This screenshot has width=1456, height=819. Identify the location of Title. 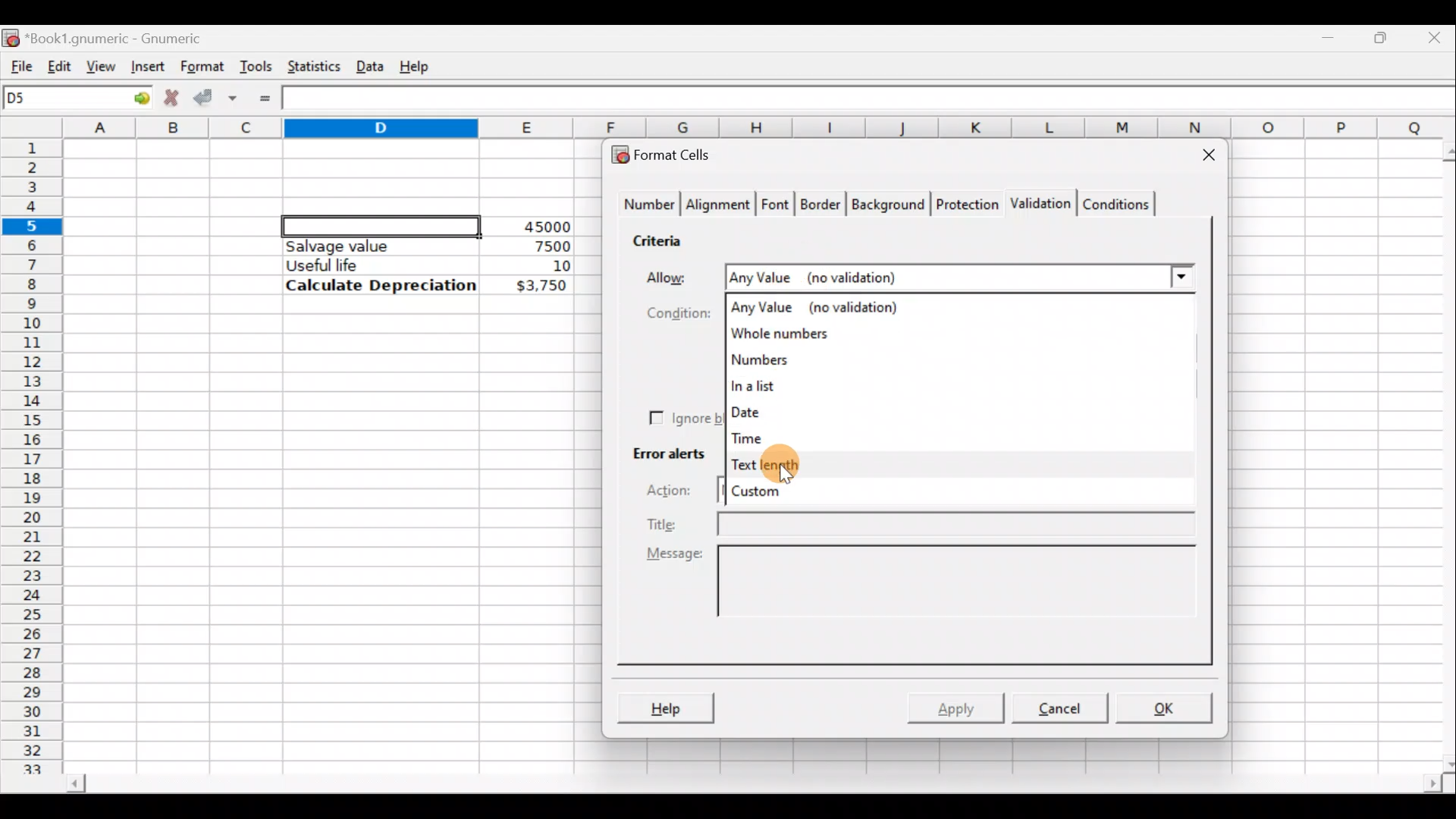
(924, 523).